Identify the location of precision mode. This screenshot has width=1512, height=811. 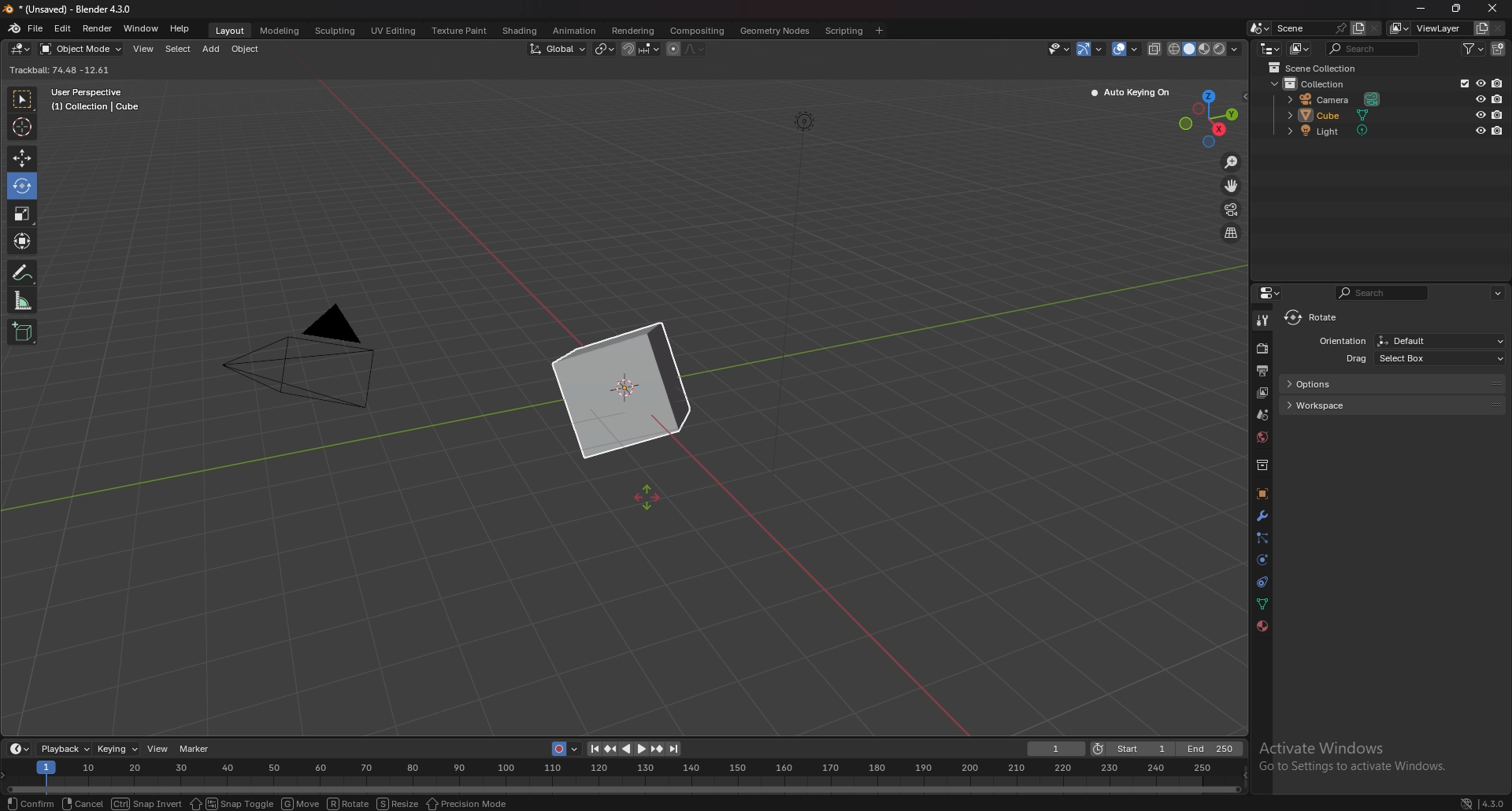
(469, 803).